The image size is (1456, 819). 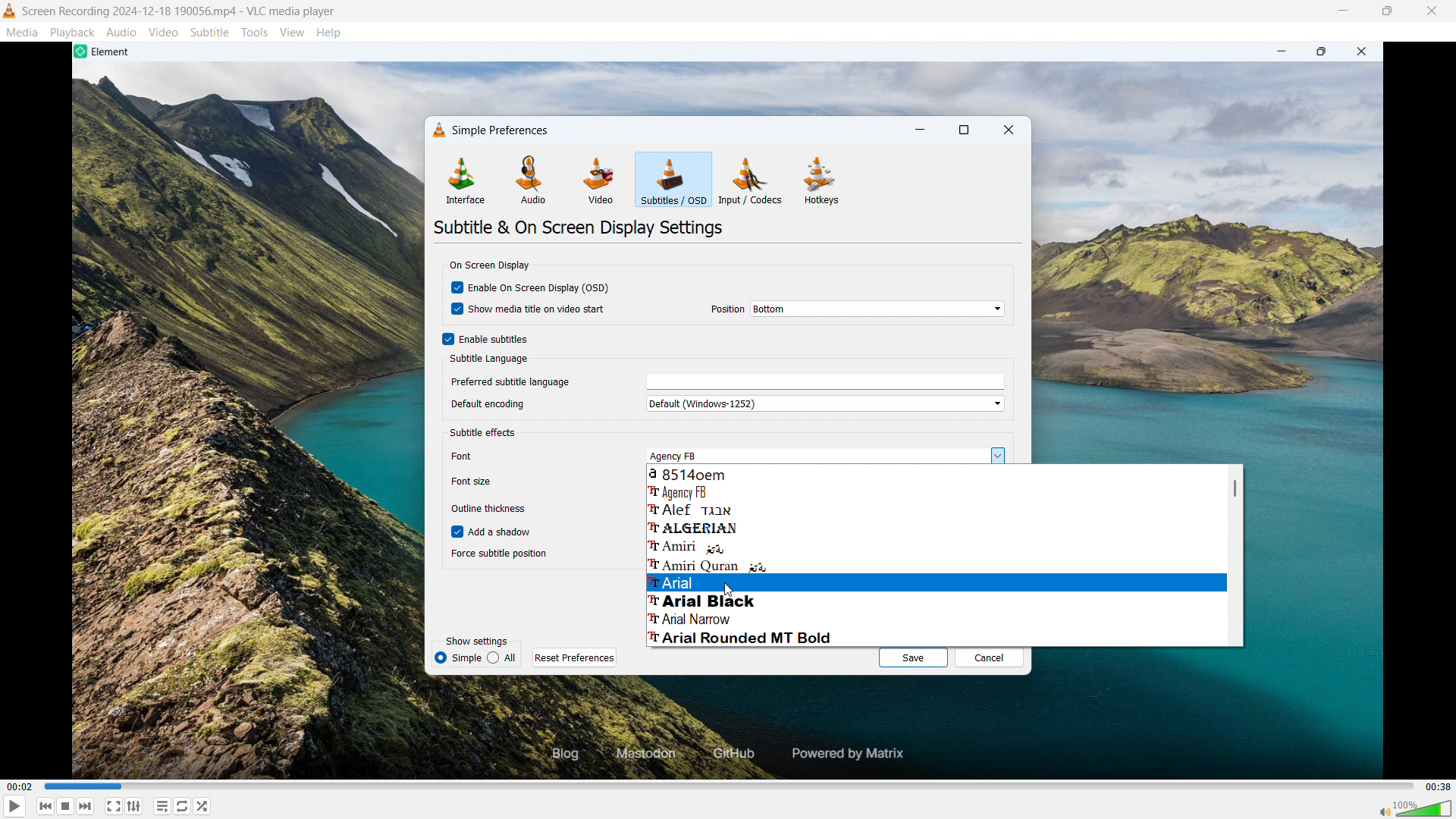 I want to click on cursor, so click(x=726, y=591).